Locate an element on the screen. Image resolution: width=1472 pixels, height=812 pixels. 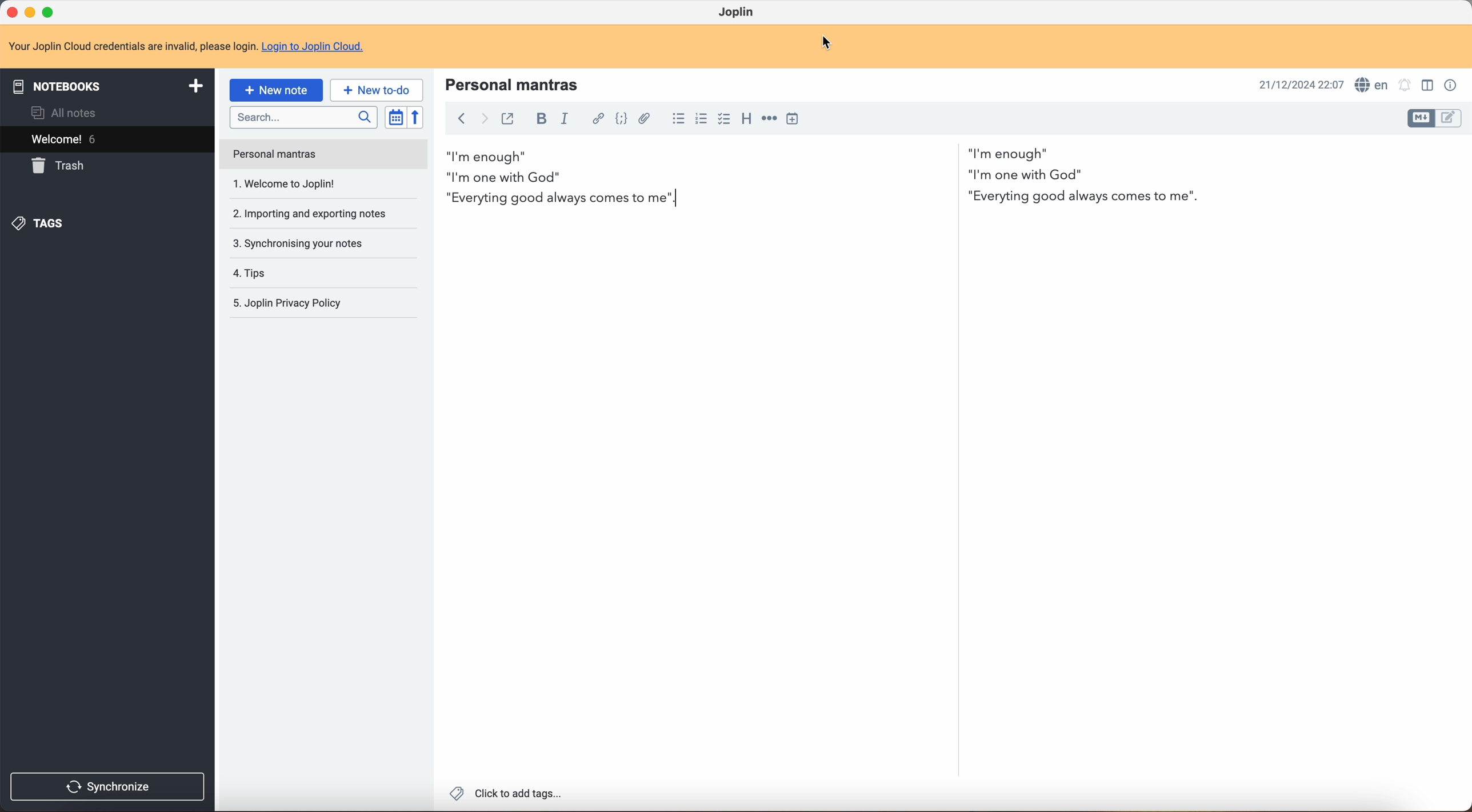
foward is located at coordinates (485, 119).